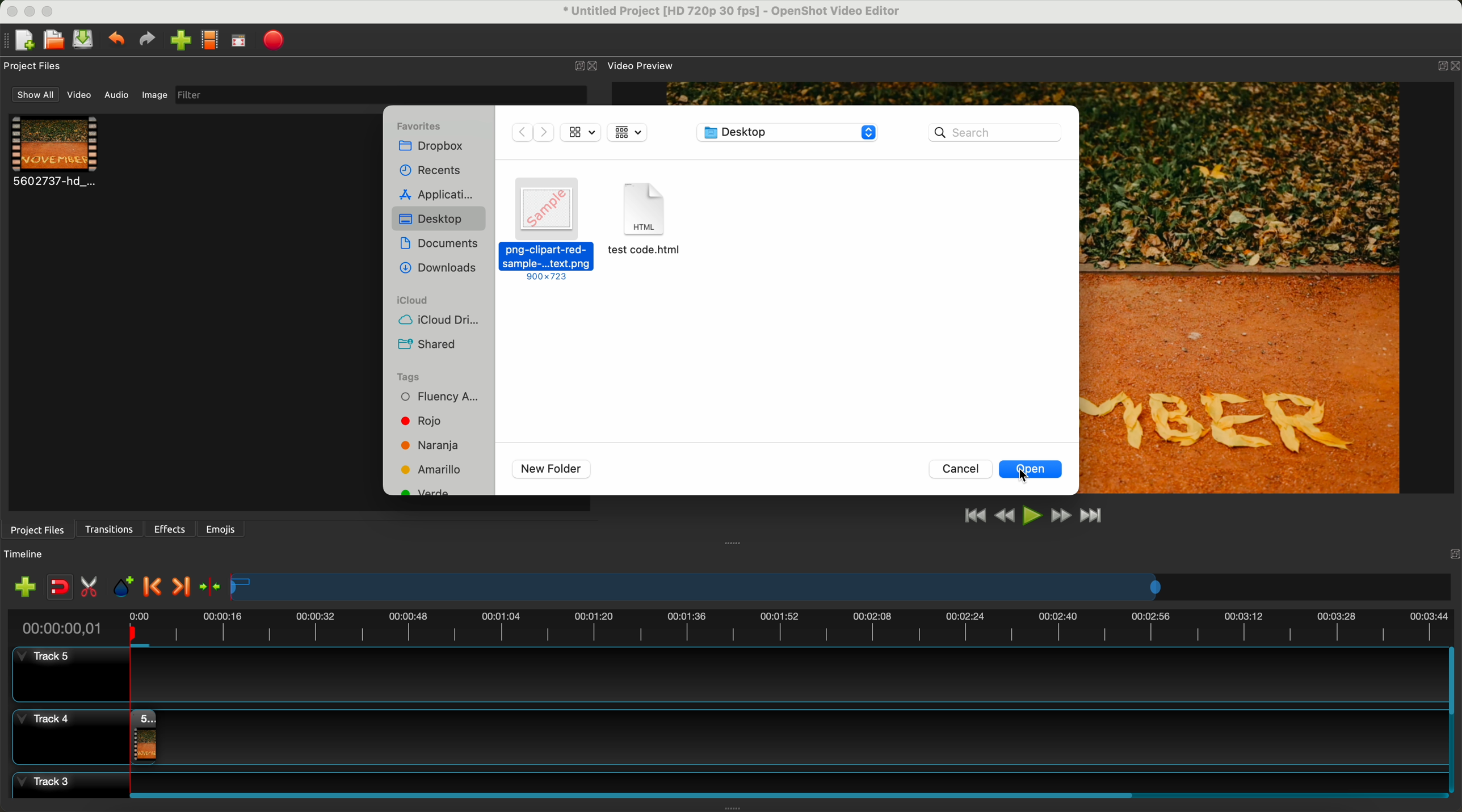 Image resolution: width=1462 pixels, height=812 pixels. Describe the element at coordinates (627, 132) in the screenshot. I see `view` at that location.